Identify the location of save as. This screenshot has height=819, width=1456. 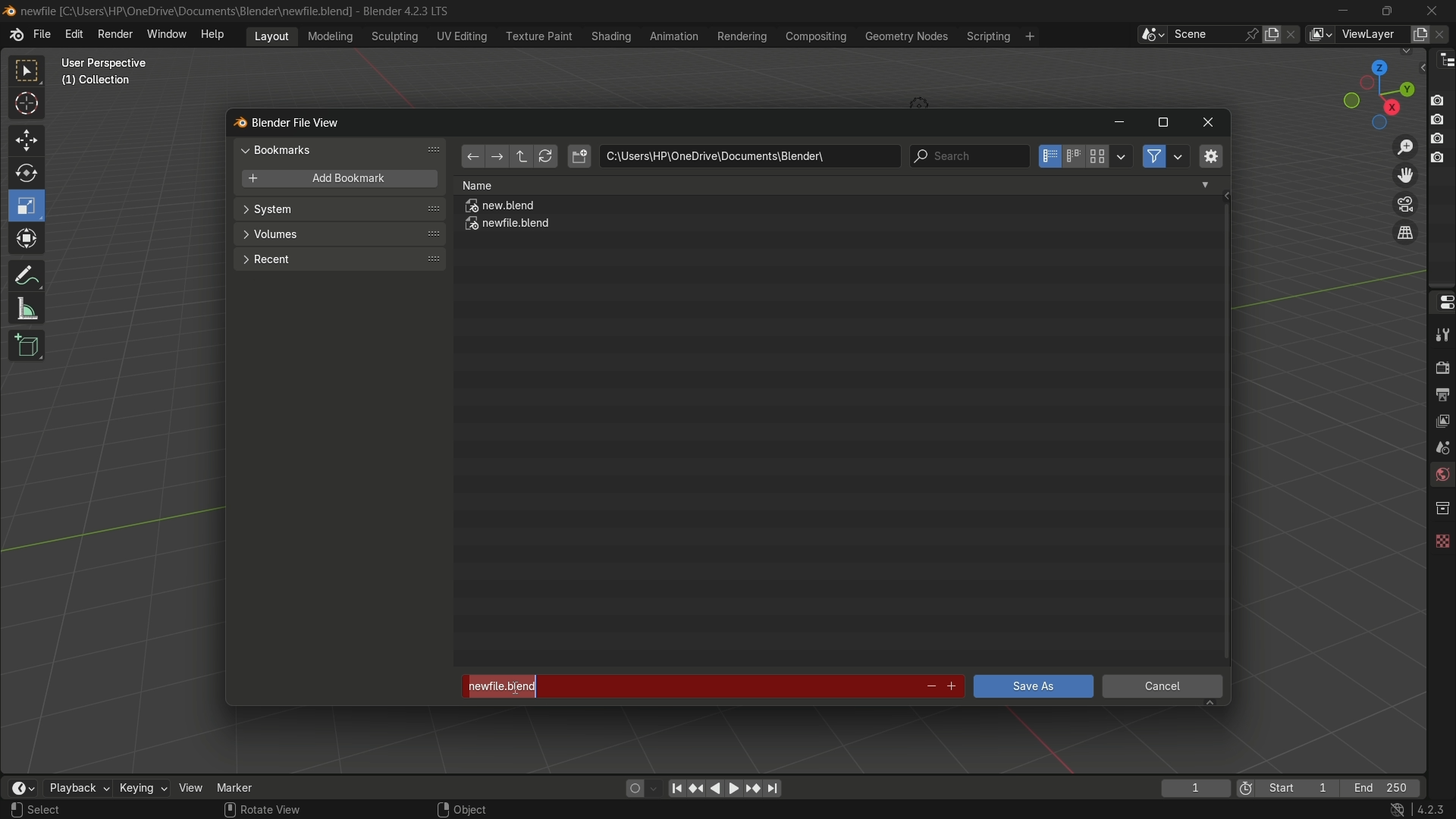
(1032, 686).